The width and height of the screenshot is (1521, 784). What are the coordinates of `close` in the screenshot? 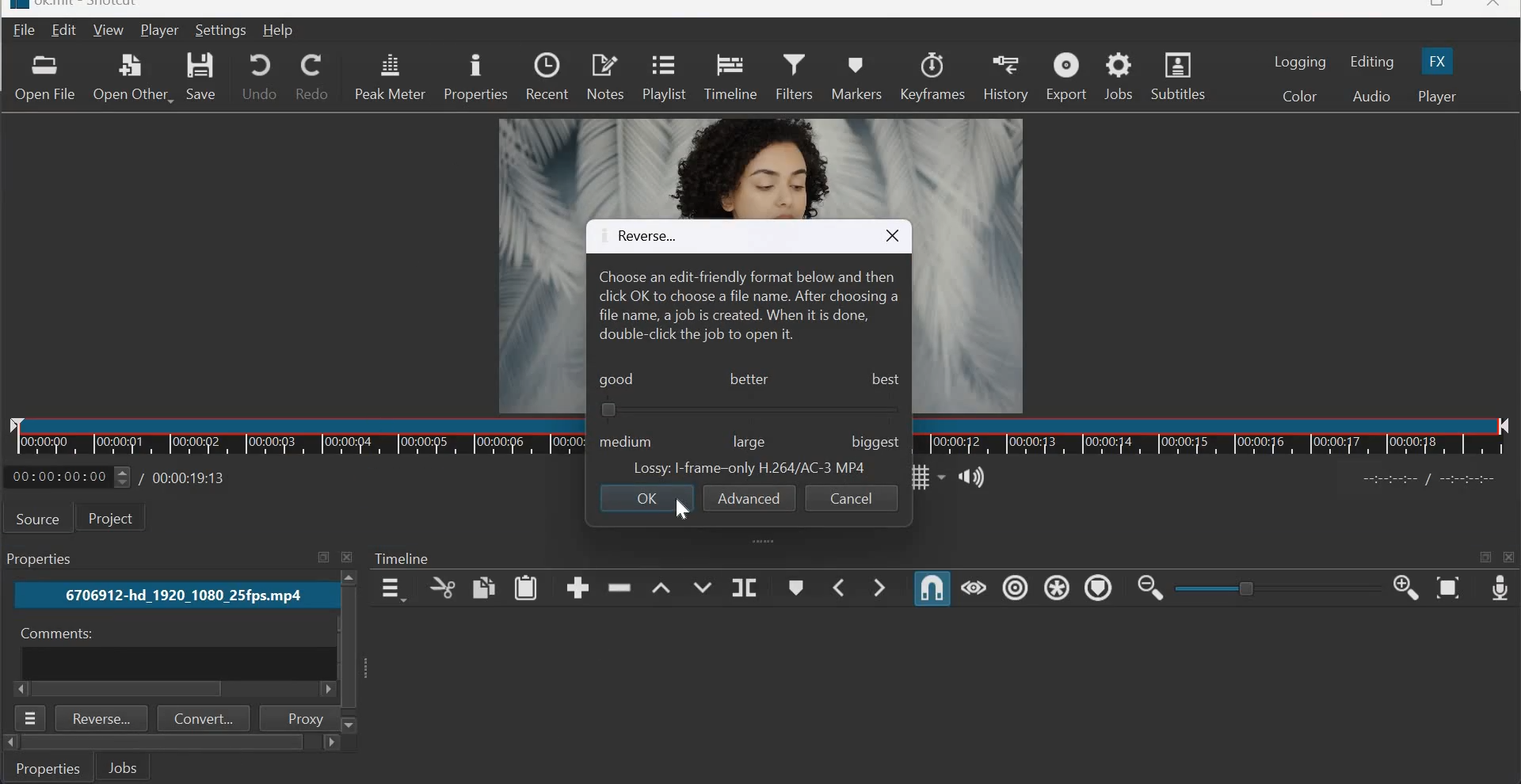 It's located at (349, 557).